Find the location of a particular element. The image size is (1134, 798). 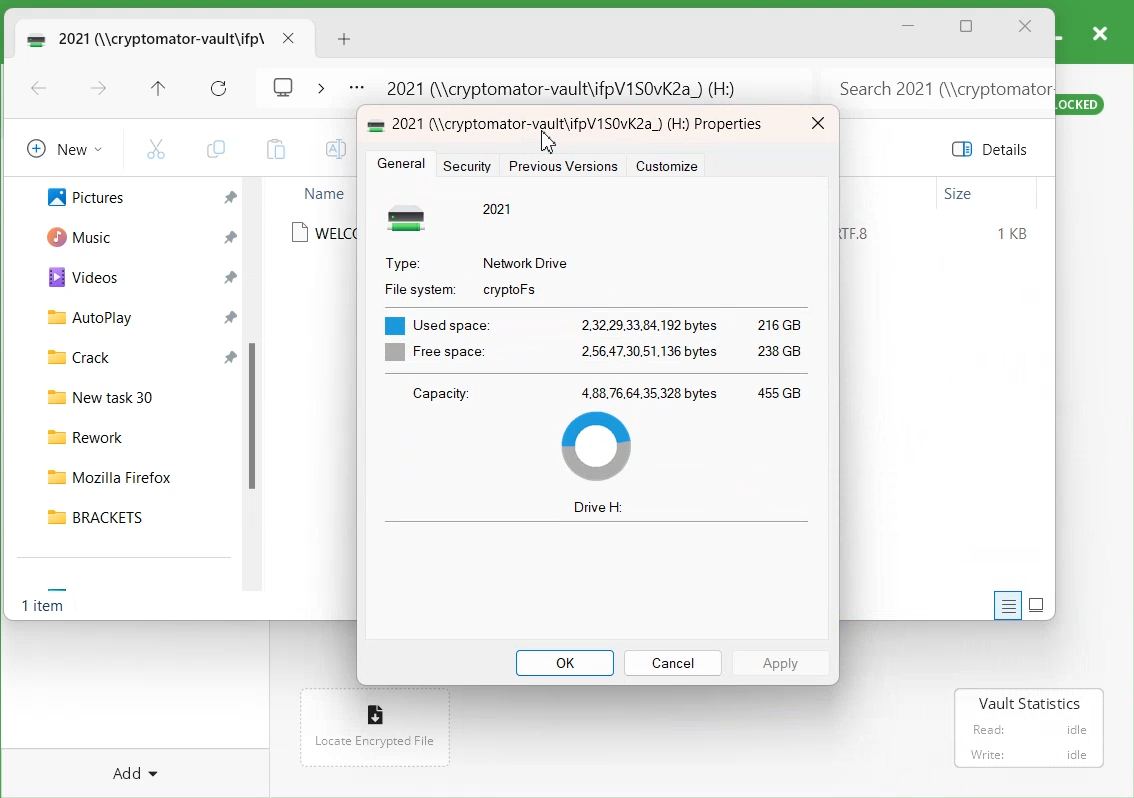

More is located at coordinates (356, 89).